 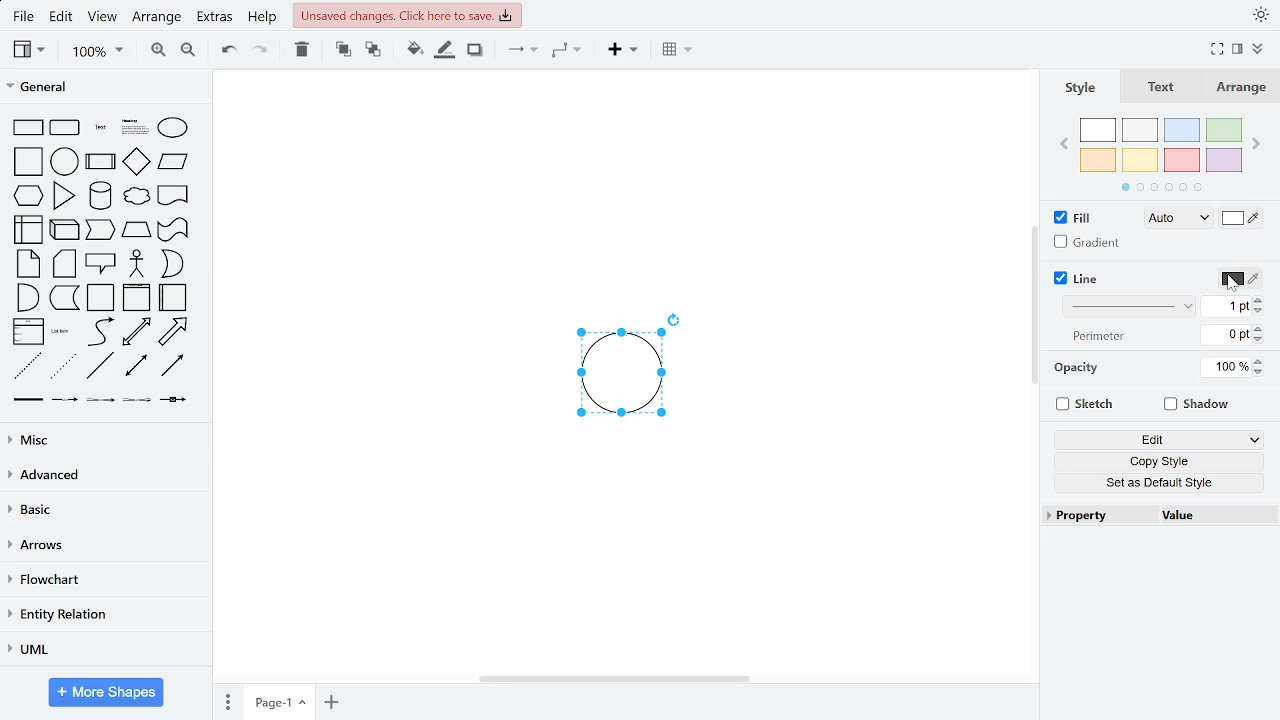 I want to click on view, so click(x=29, y=50).